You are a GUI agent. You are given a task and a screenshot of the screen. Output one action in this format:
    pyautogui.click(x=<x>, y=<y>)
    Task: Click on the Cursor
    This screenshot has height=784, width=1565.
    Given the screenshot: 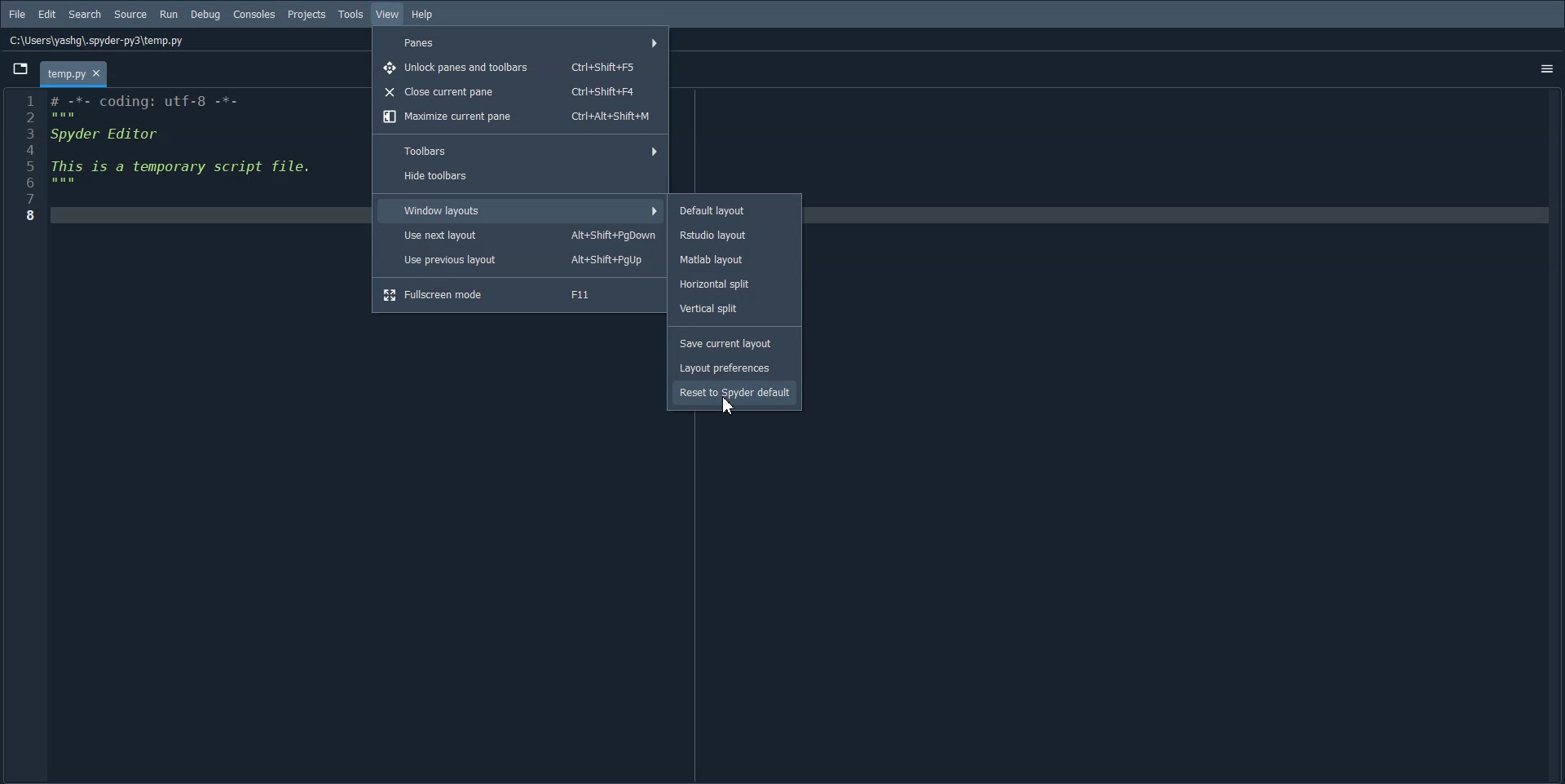 What is the action you would take?
    pyautogui.click(x=731, y=407)
    